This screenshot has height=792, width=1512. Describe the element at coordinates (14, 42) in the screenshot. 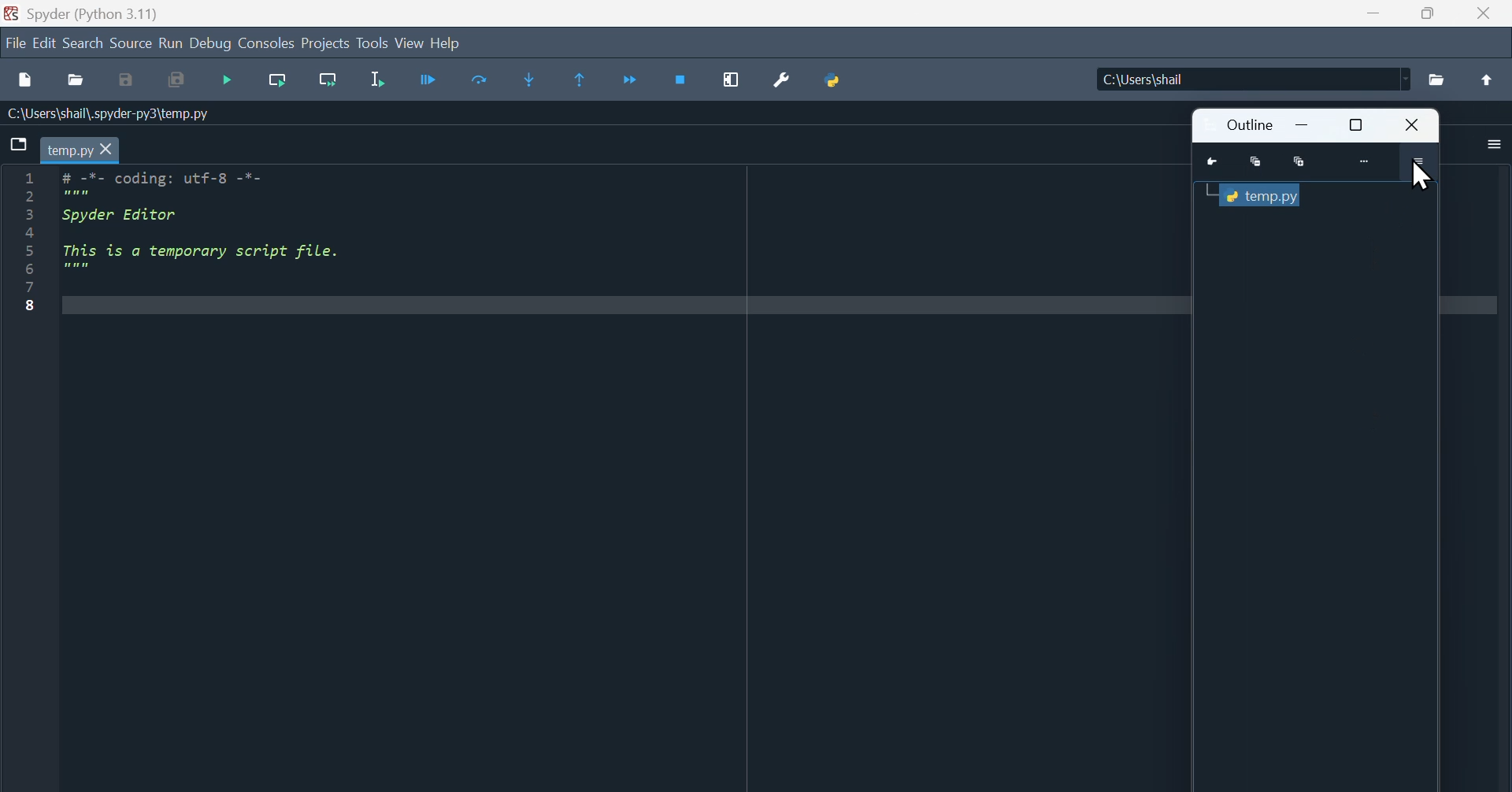

I see `file` at that location.